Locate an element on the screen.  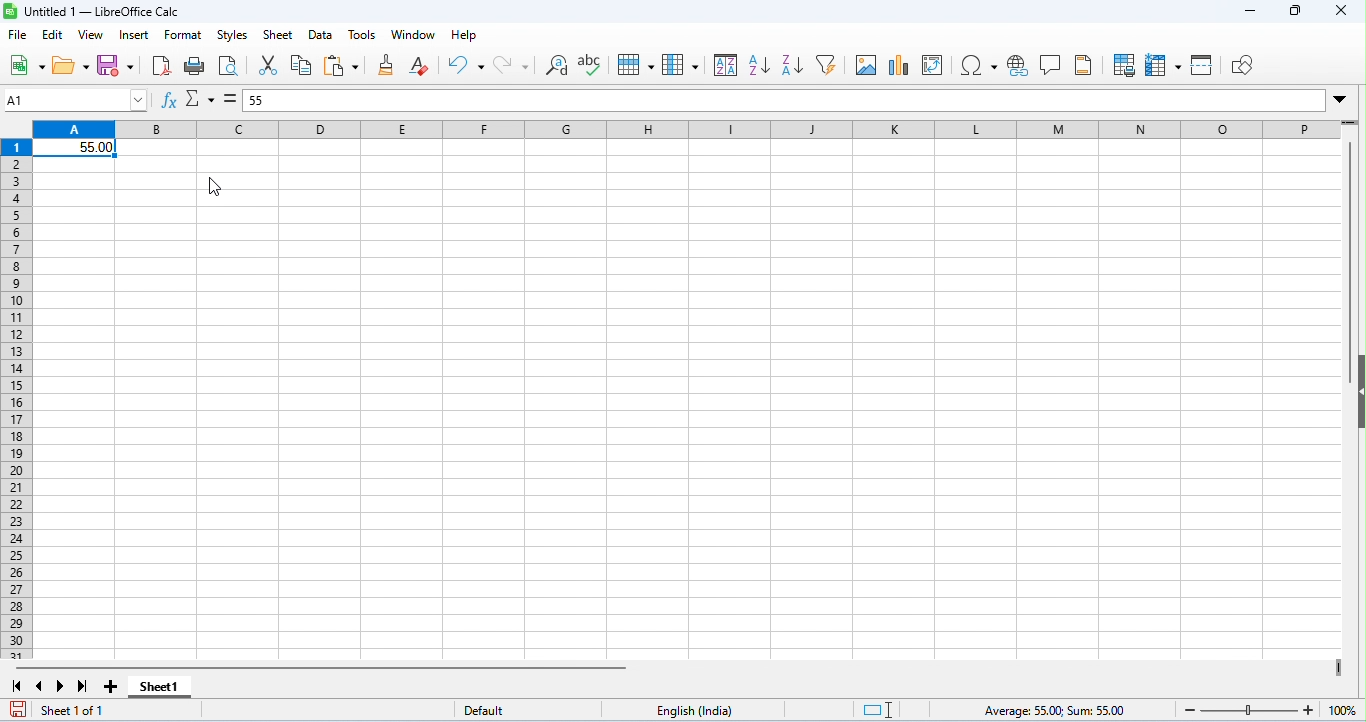
add sheet is located at coordinates (111, 685).